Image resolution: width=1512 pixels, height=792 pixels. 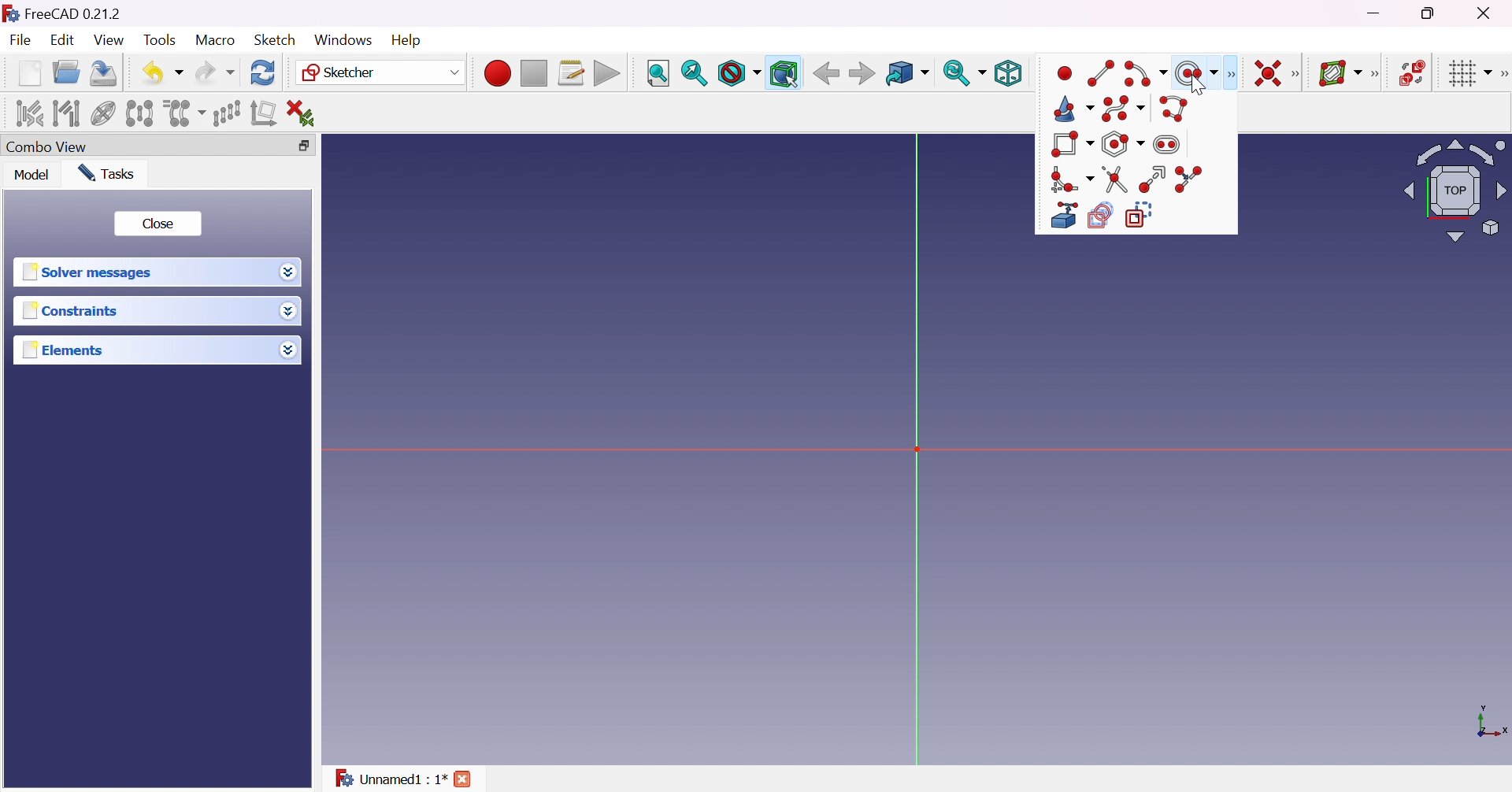 I want to click on Delete all constraints, so click(x=306, y=113).